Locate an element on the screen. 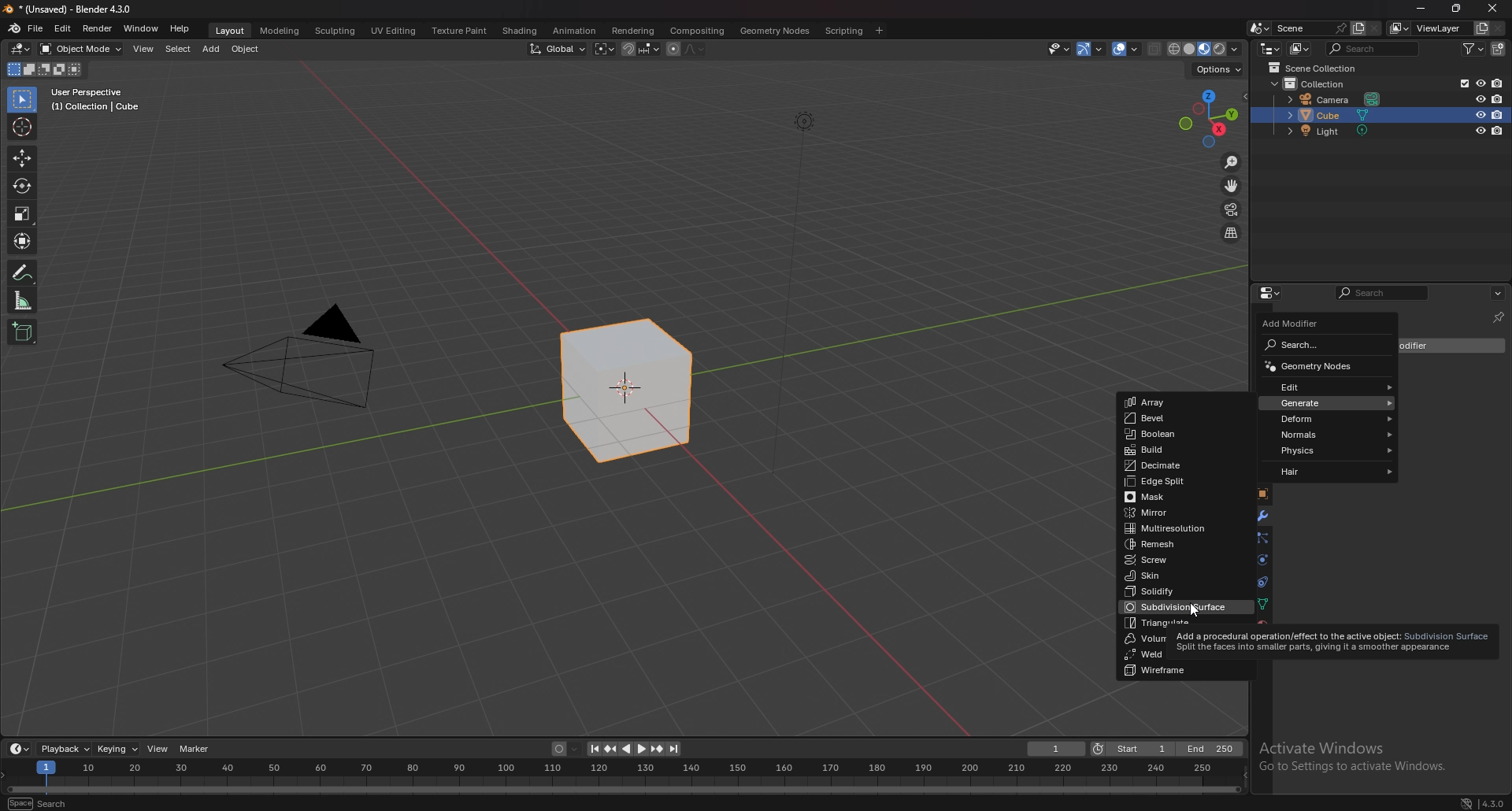 The height and width of the screenshot is (811, 1512). zoom is located at coordinates (1230, 162).